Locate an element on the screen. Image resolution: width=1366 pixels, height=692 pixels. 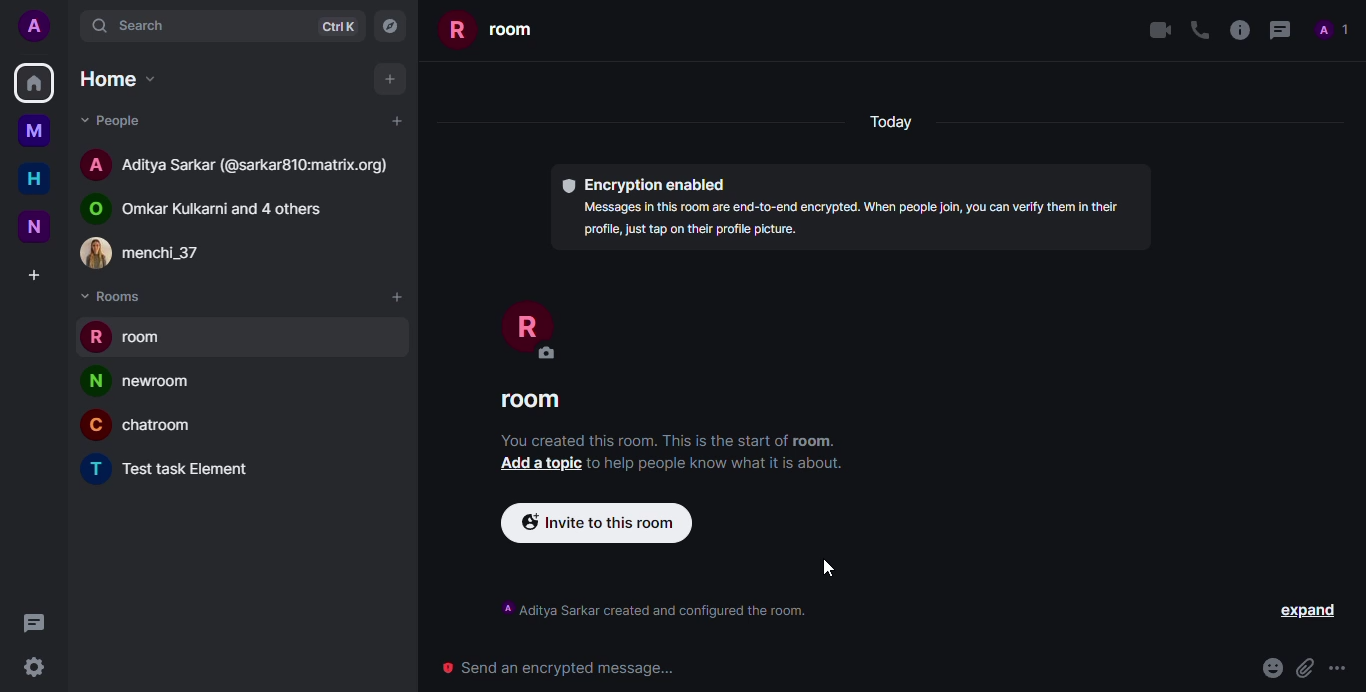
emoji is located at coordinates (1269, 666).